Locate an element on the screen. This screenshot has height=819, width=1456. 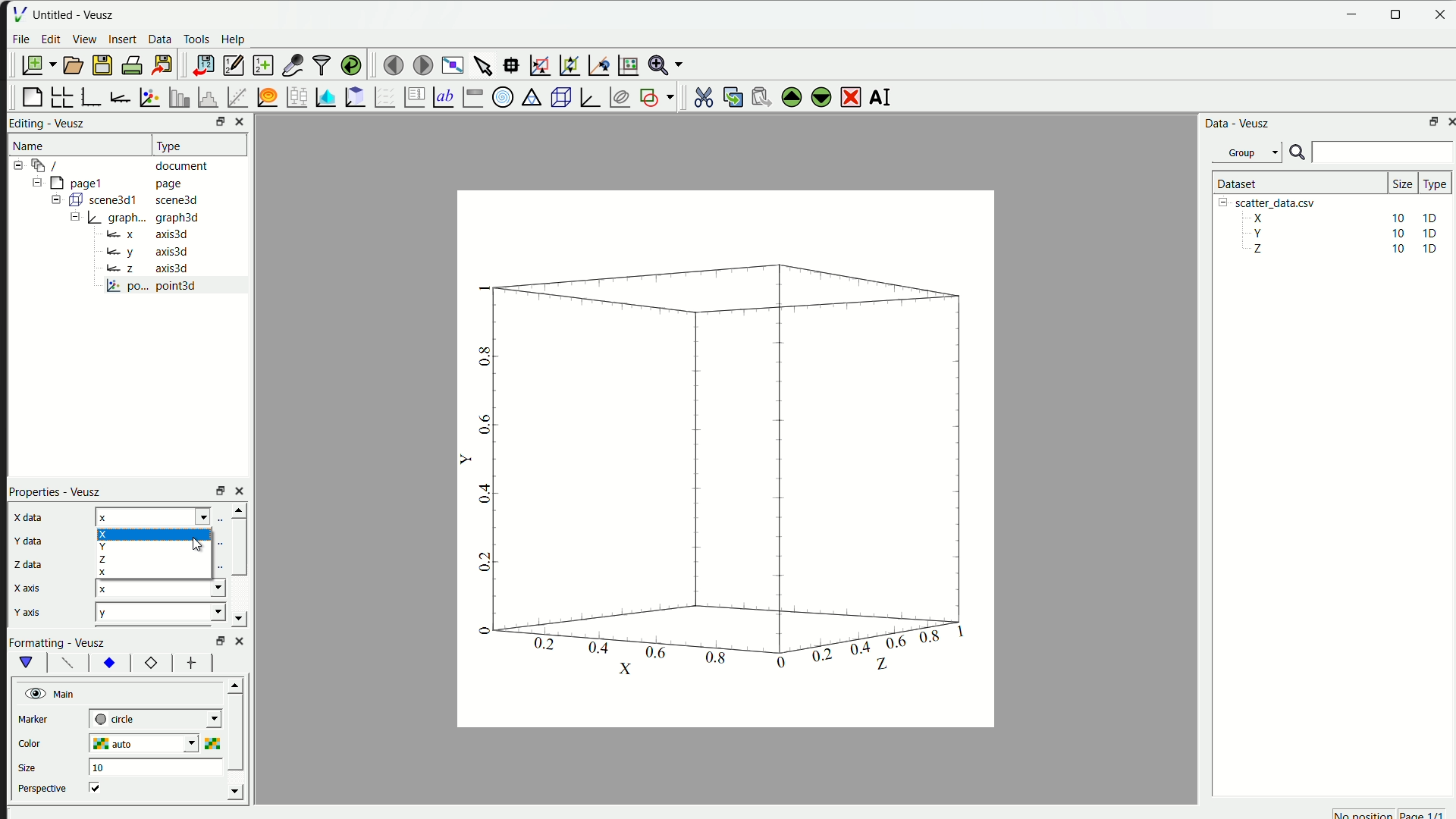
y is located at coordinates (160, 613).